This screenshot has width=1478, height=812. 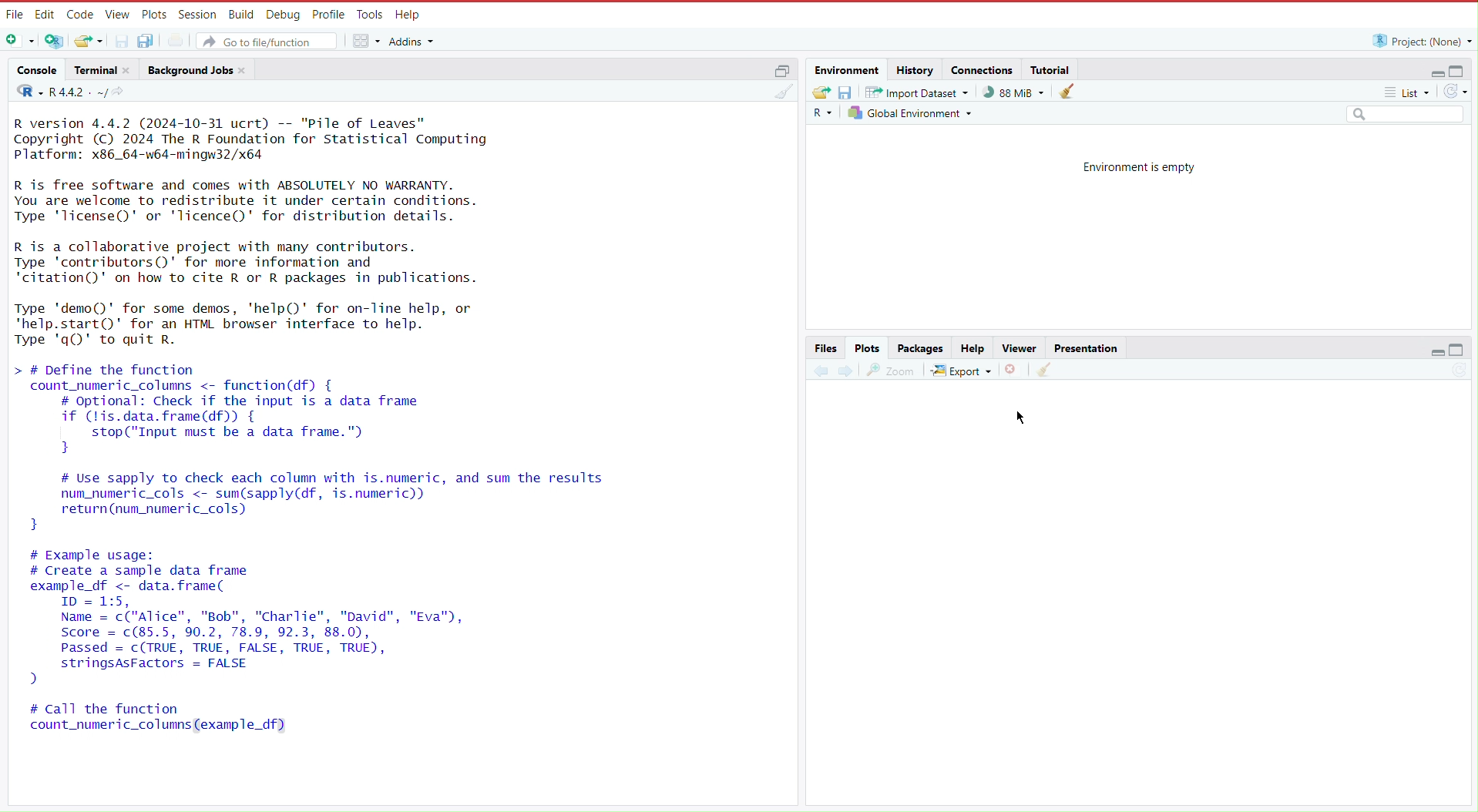 I want to click on Build, so click(x=240, y=13).